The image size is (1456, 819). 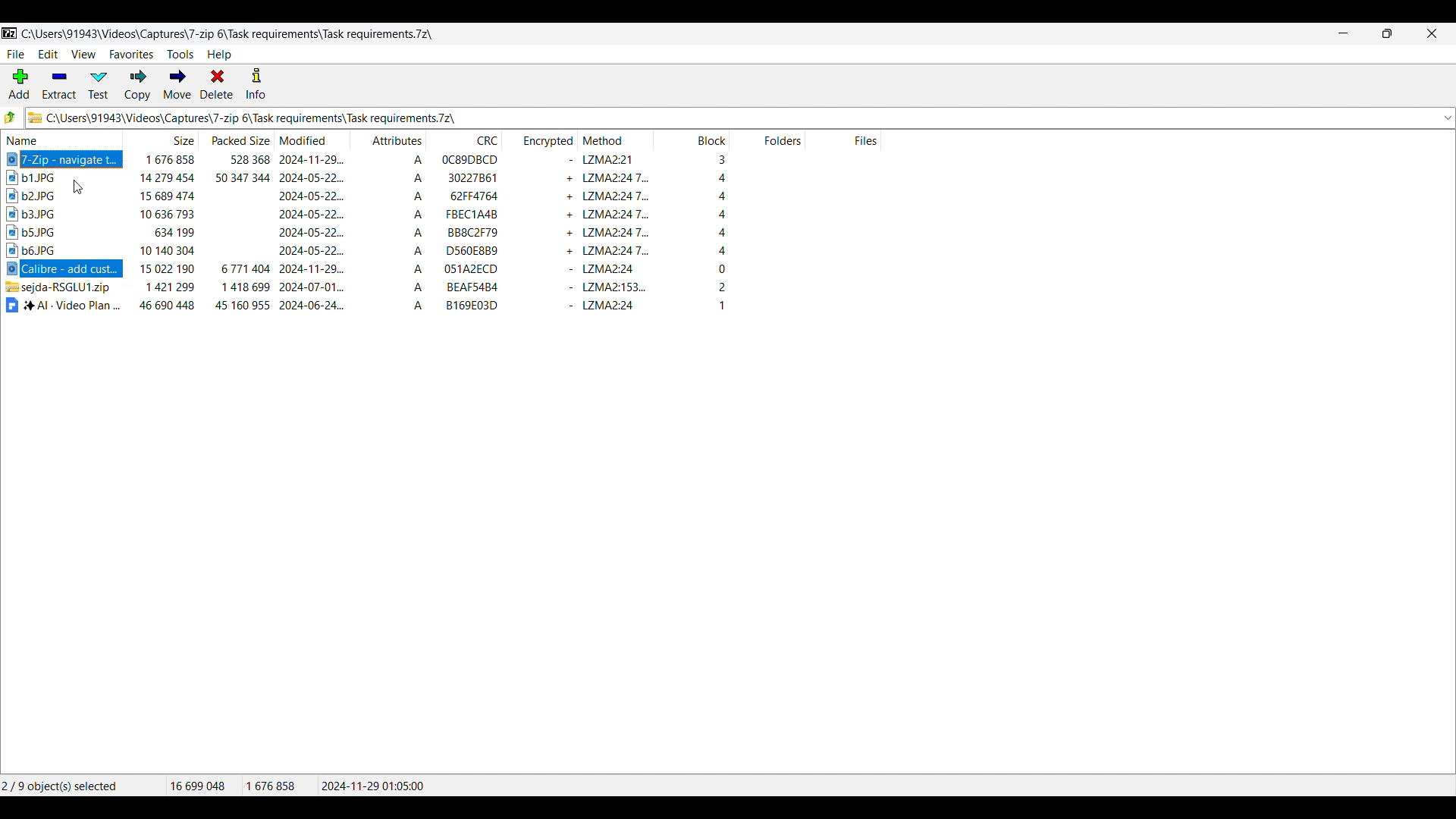 What do you see at coordinates (312, 234) in the screenshot?
I see `Modified Date` at bounding box center [312, 234].